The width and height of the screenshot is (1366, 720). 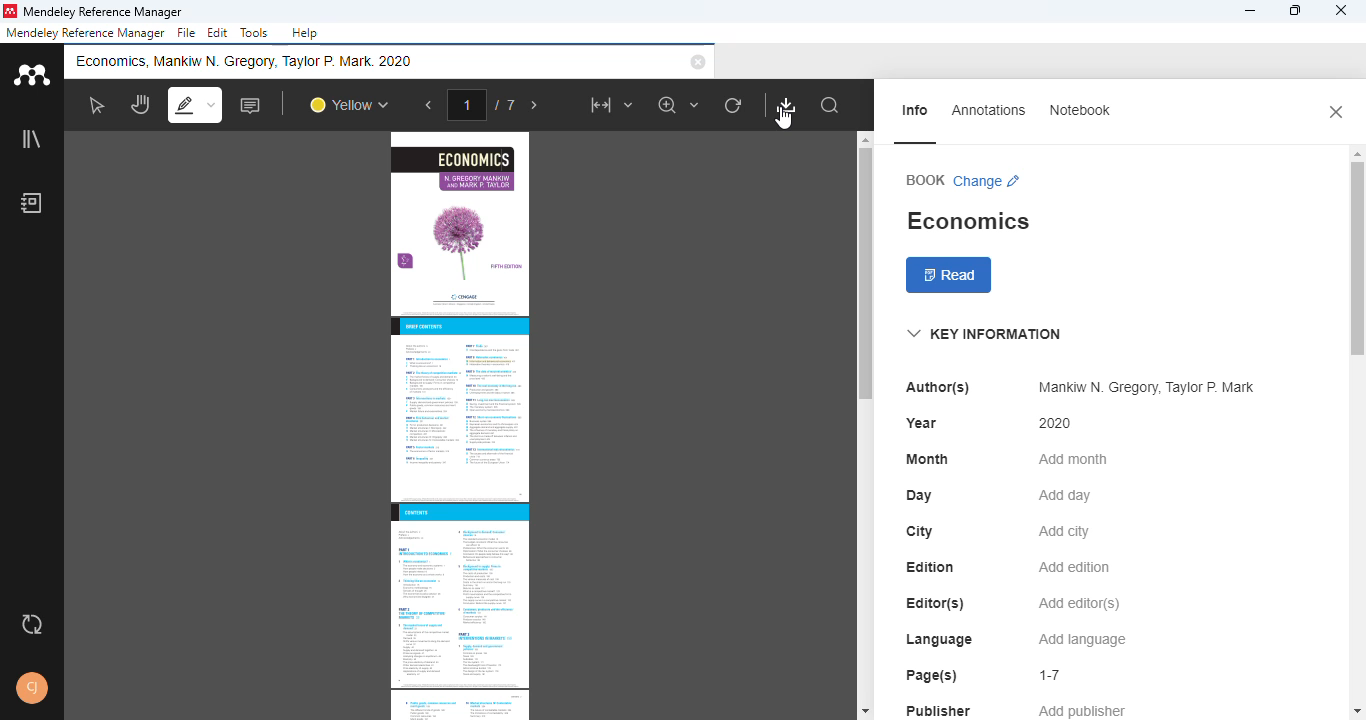 I want to click on file, so click(x=186, y=33).